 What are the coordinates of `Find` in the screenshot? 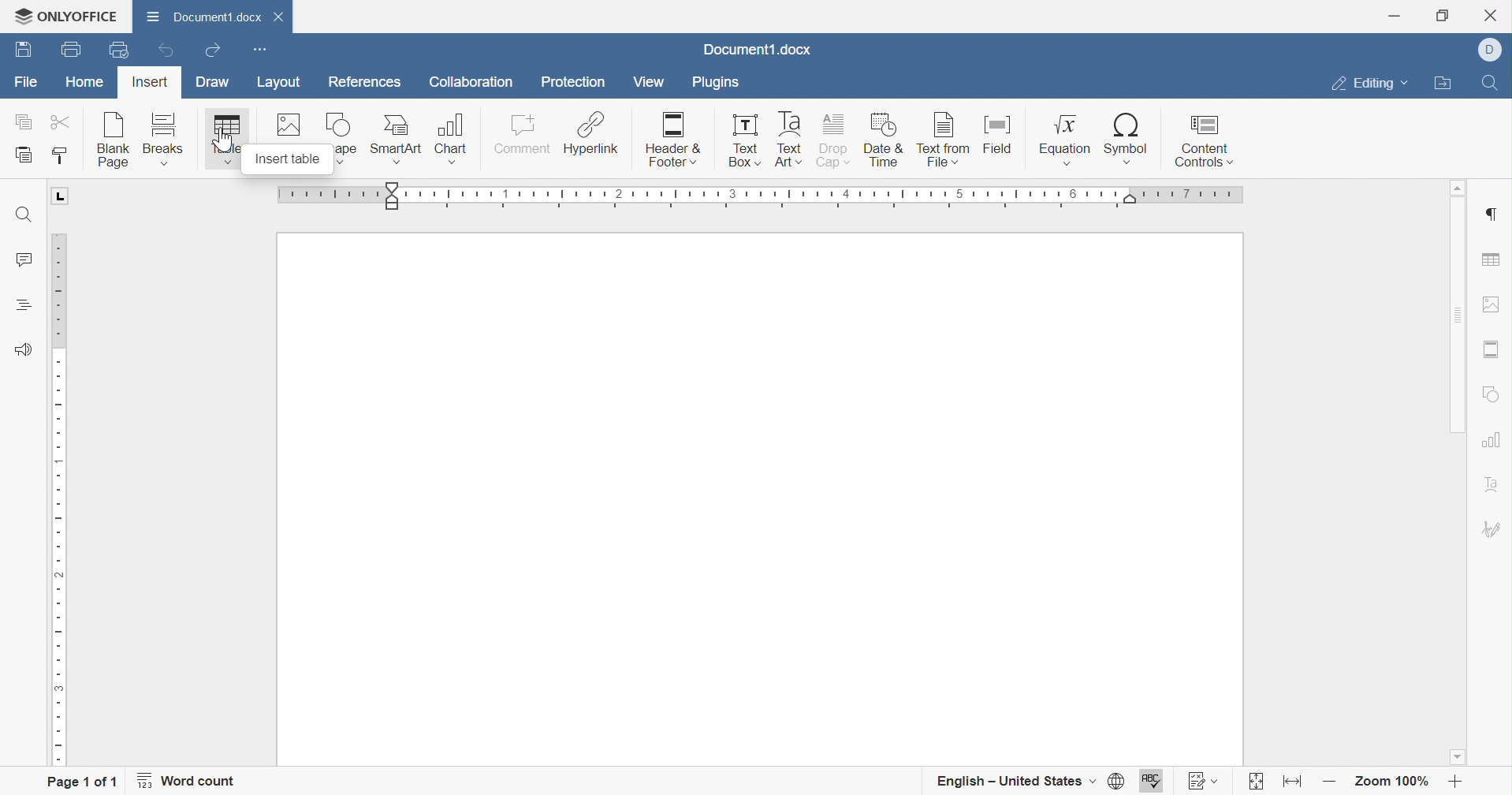 It's located at (26, 214).